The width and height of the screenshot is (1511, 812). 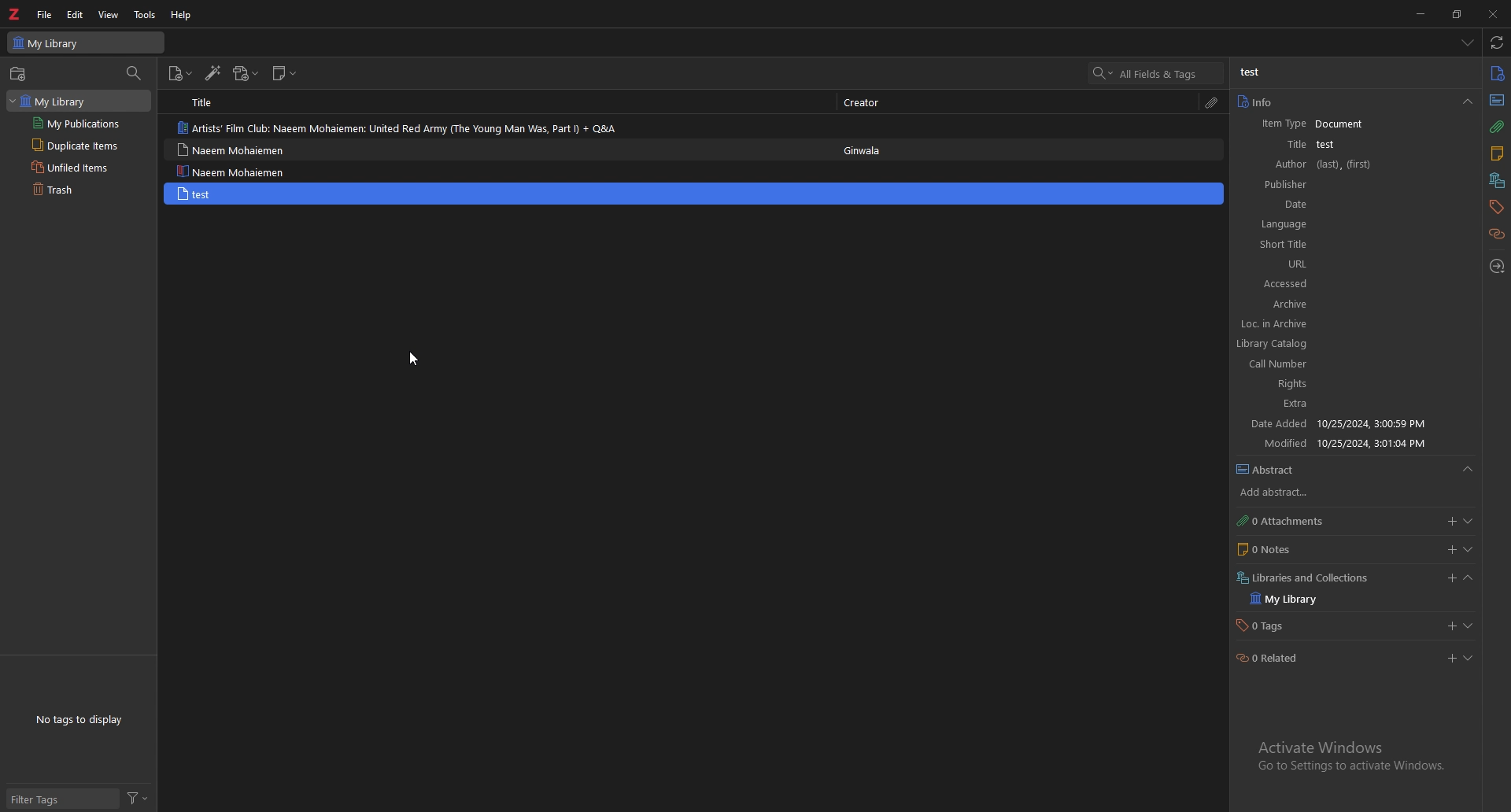 What do you see at coordinates (1358, 323) in the screenshot?
I see `loc. in archive input` at bounding box center [1358, 323].